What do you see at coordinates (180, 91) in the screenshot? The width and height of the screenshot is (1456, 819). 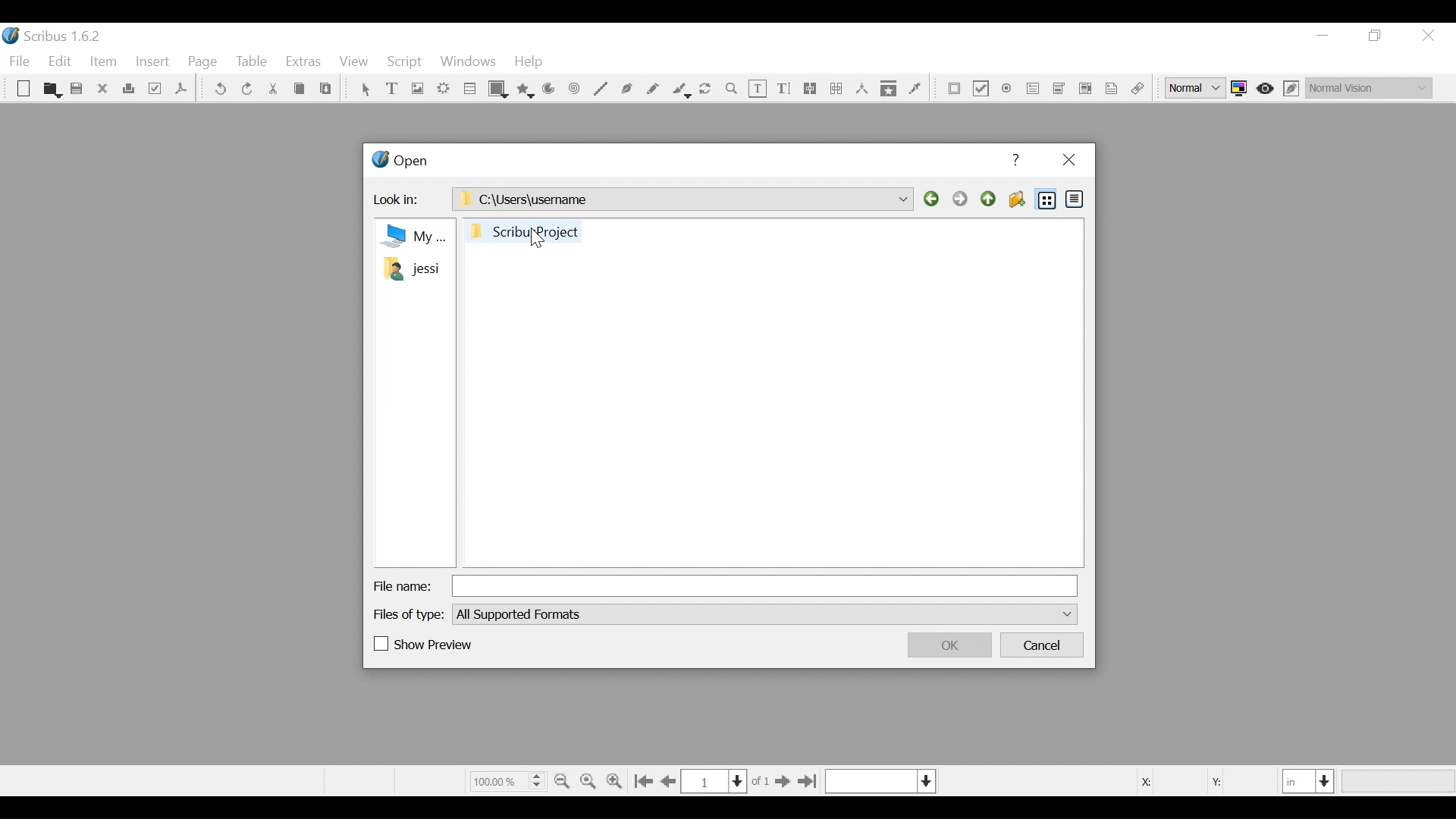 I see `Save as PDF` at bounding box center [180, 91].